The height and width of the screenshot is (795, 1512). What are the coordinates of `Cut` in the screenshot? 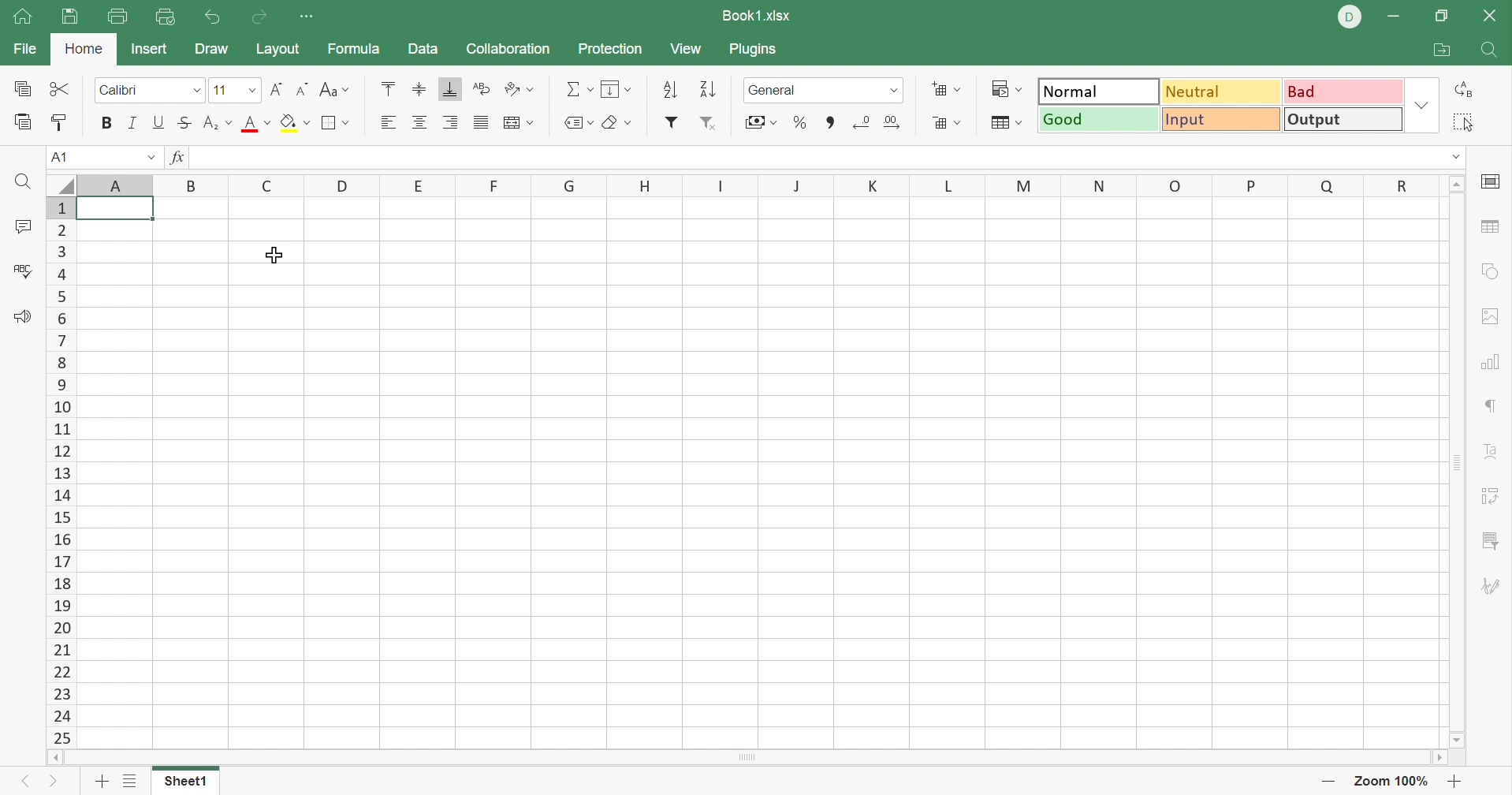 It's located at (64, 90).